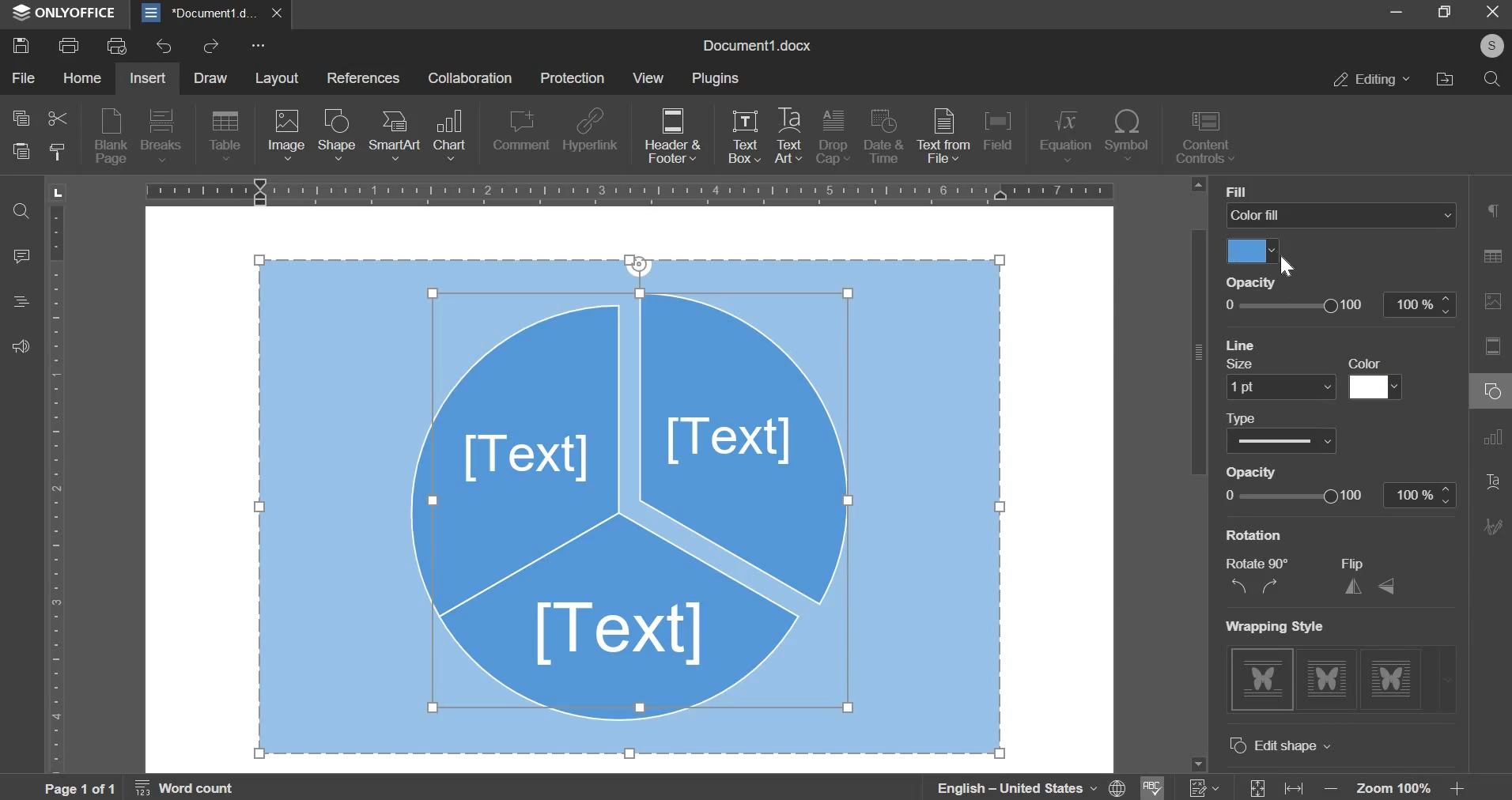 The width and height of the screenshot is (1512, 800). Describe the element at coordinates (1492, 79) in the screenshot. I see `search` at that location.